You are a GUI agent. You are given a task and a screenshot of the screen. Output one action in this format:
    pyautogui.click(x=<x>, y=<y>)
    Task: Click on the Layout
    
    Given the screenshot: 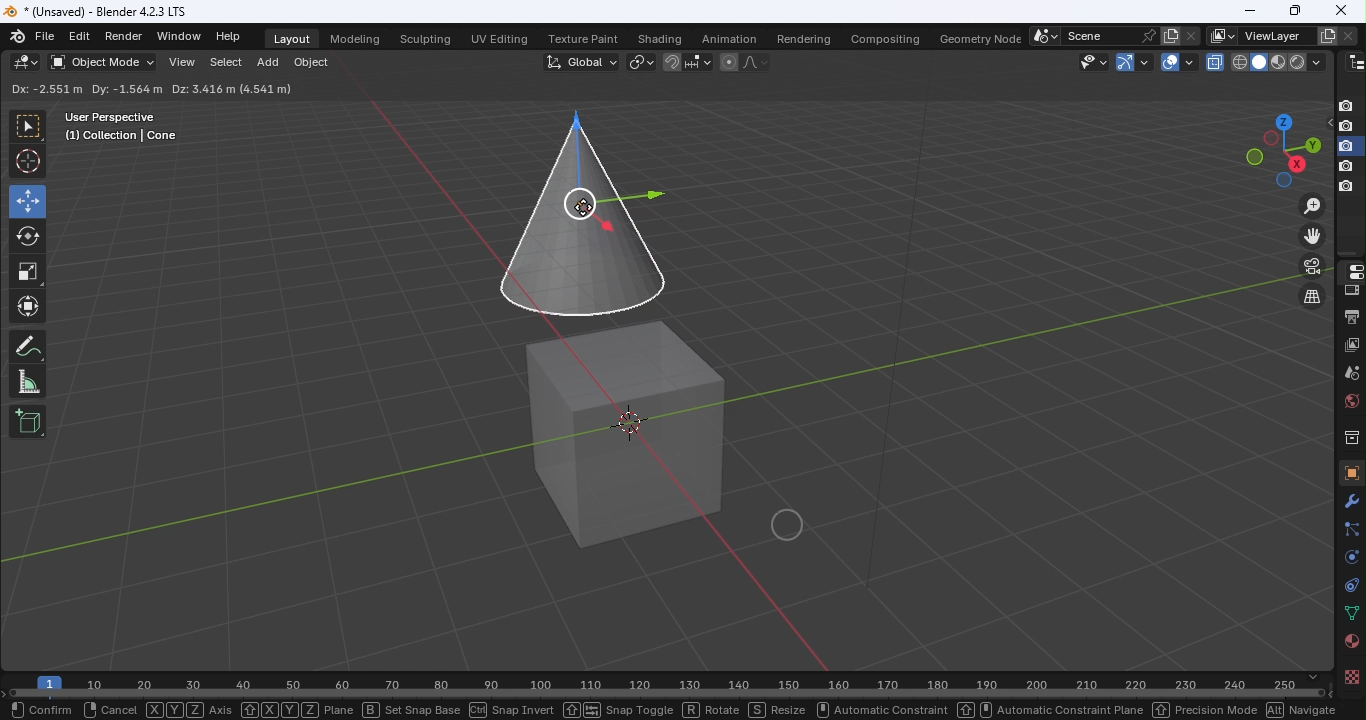 What is the action you would take?
    pyautogui.click(x=293, y=39)
    